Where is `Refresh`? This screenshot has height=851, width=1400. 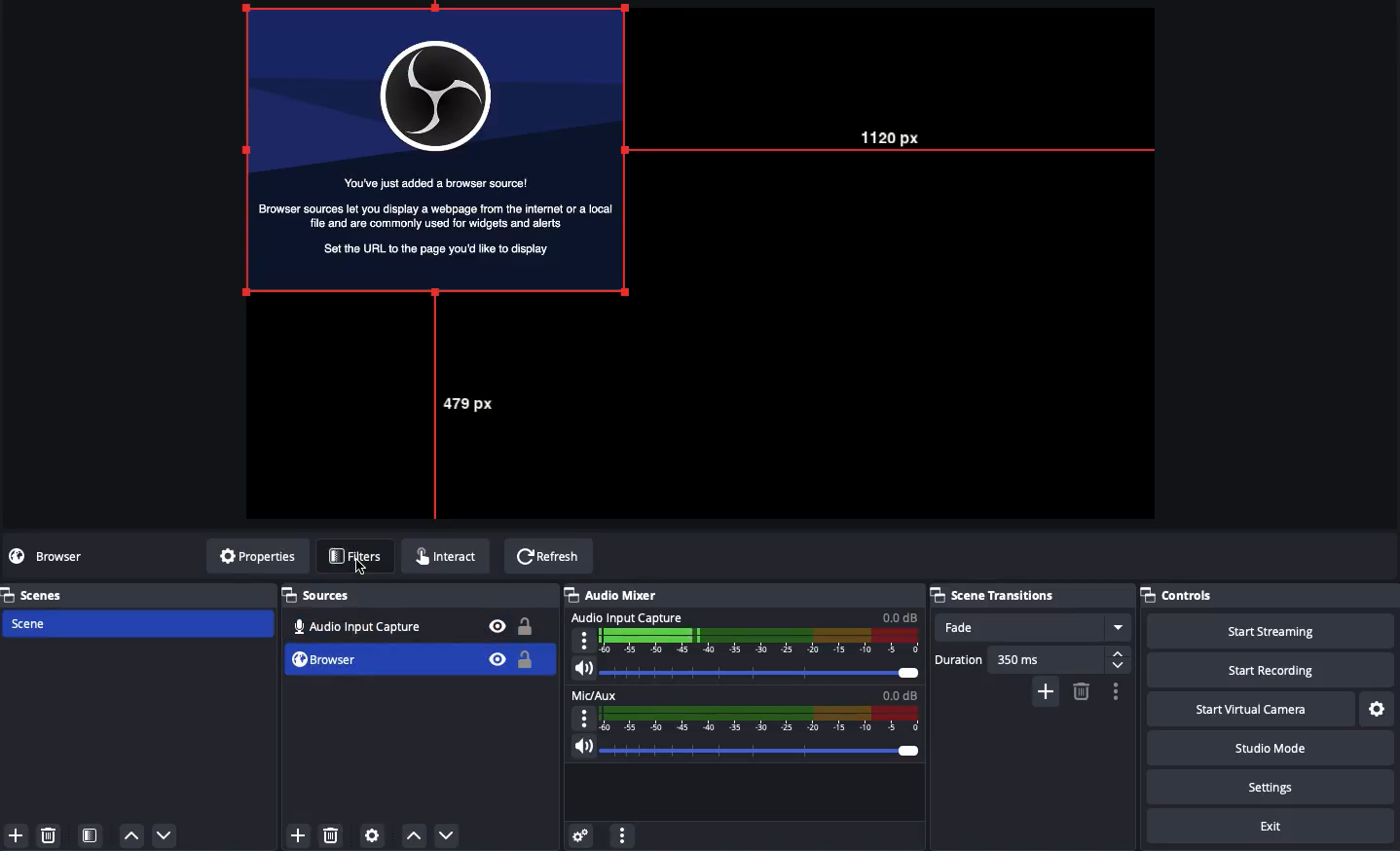 Refresh is located at coordinates (548, 558).